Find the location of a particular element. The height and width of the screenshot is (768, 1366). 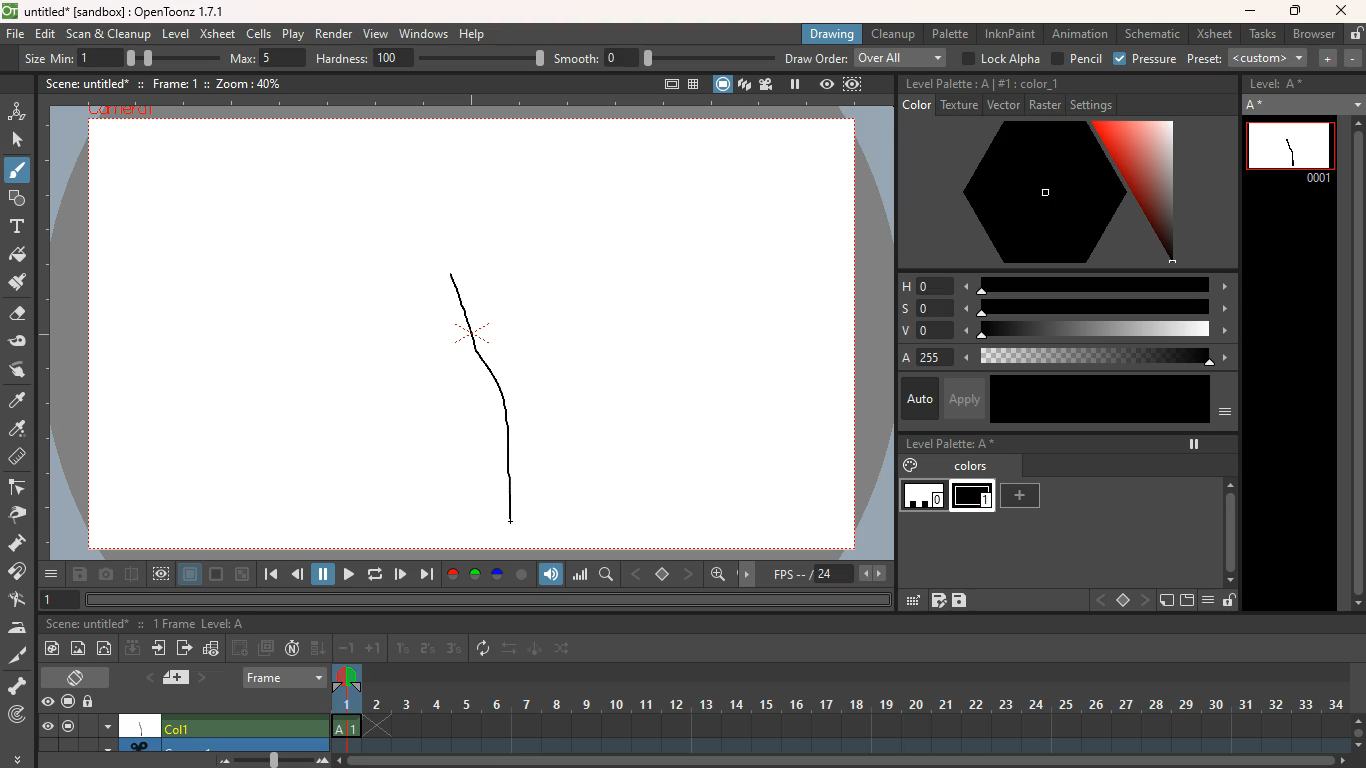

tap is located at coordinates (20, 601).